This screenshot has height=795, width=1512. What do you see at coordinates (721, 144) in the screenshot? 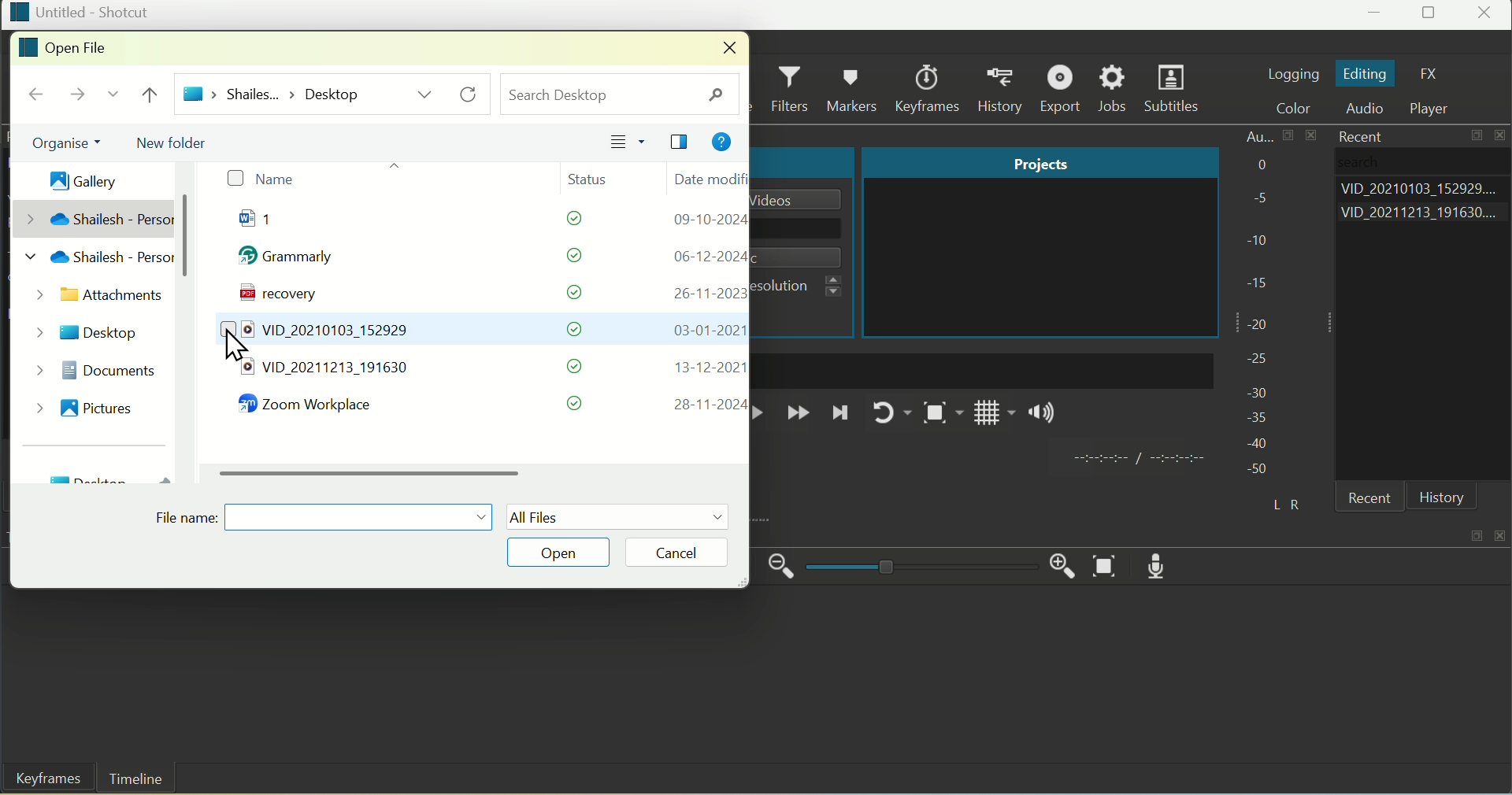
I see `Help` at bounding box center [721, 144].